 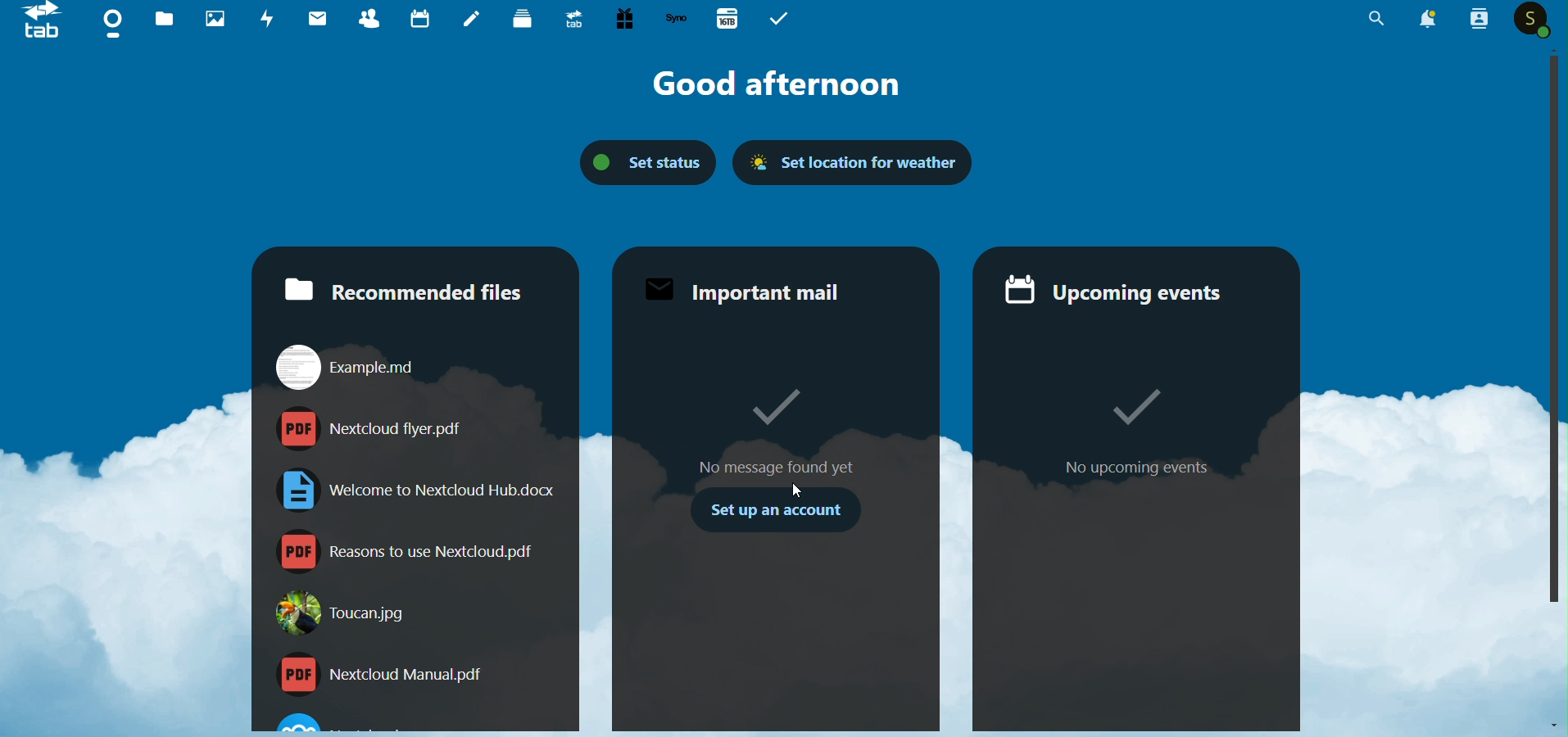 What do you see at coordinates (208, 18) in the screenshot?
I see `Photos` at bounding box center [208, 18].